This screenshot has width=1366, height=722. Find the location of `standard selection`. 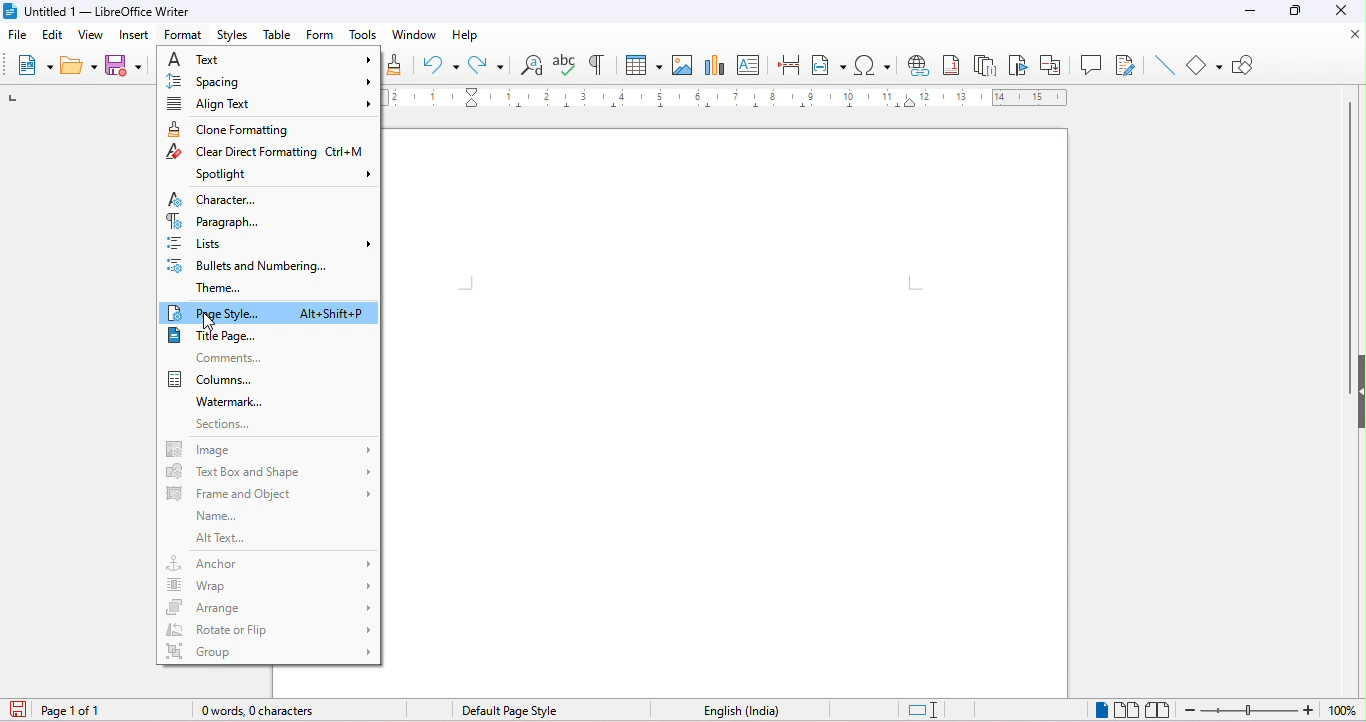

standard selection is located at coordinates (924, 707).